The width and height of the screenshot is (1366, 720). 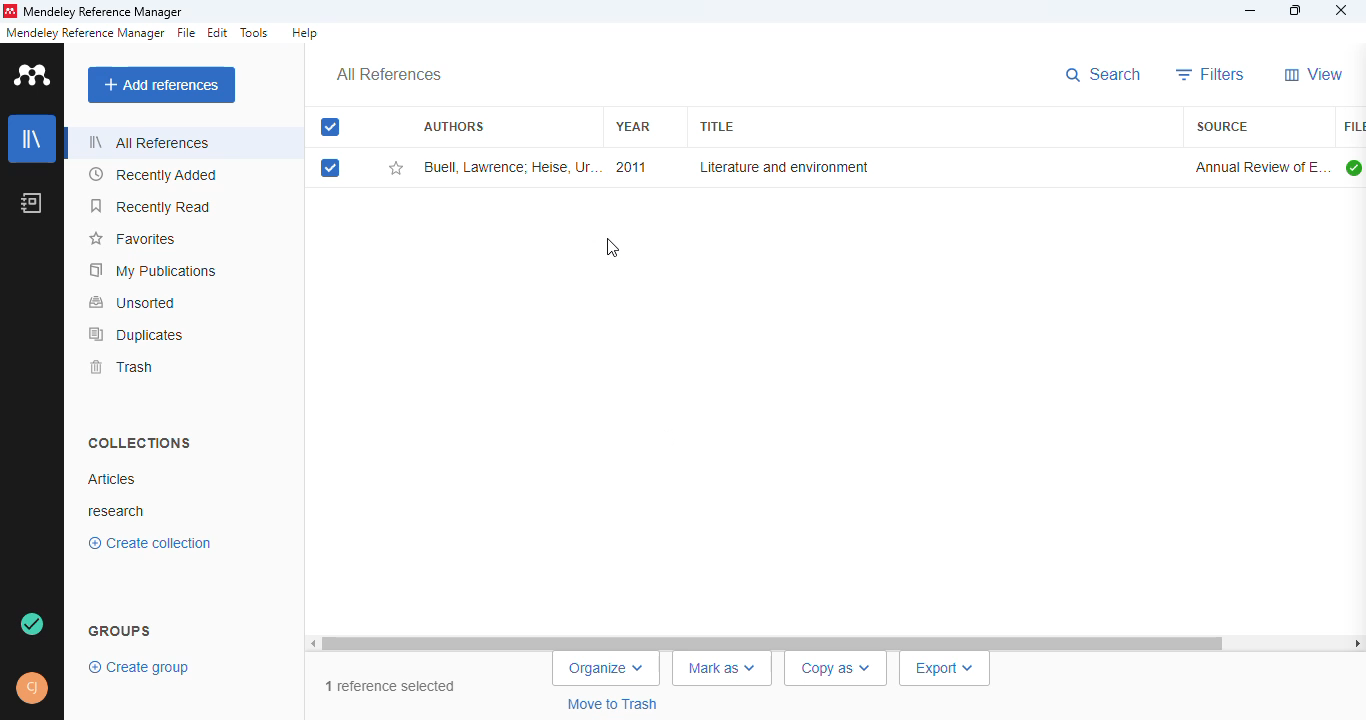 I want to click on logo, so click(x=33, y=75).